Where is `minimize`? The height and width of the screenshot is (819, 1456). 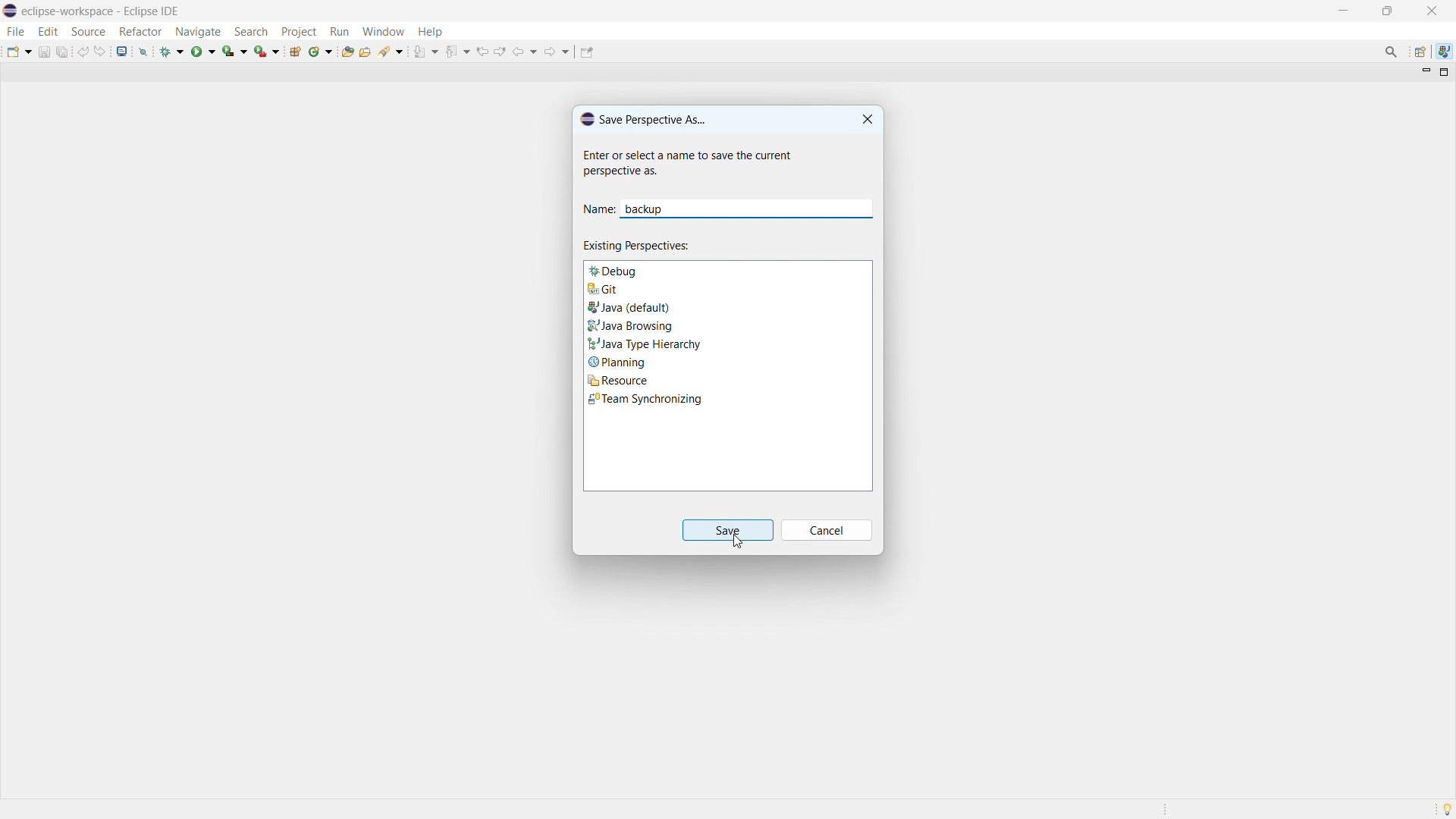
minimize is located at coordinates (1344, 10).